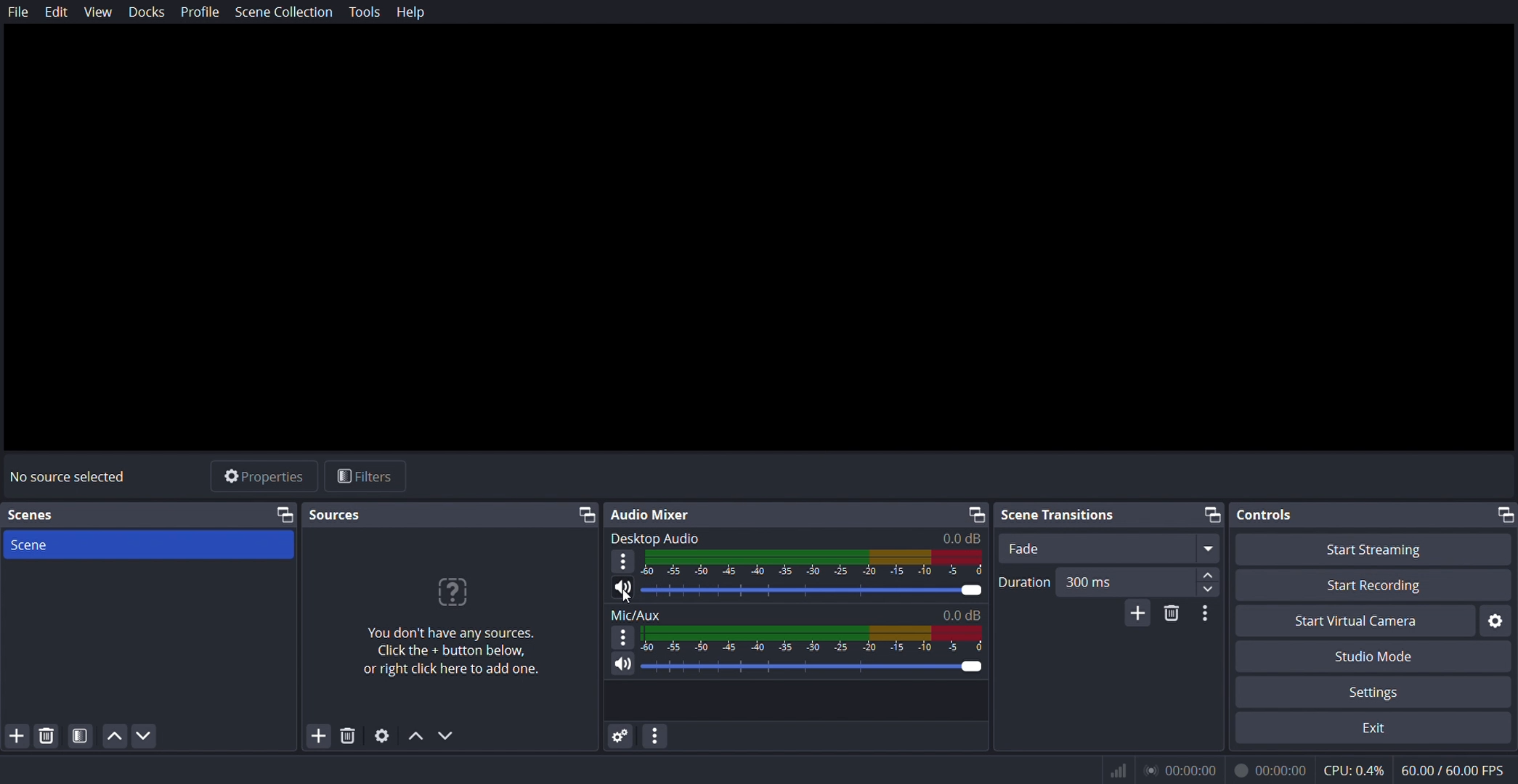  I want to click on volume slider, so click(797, 592).